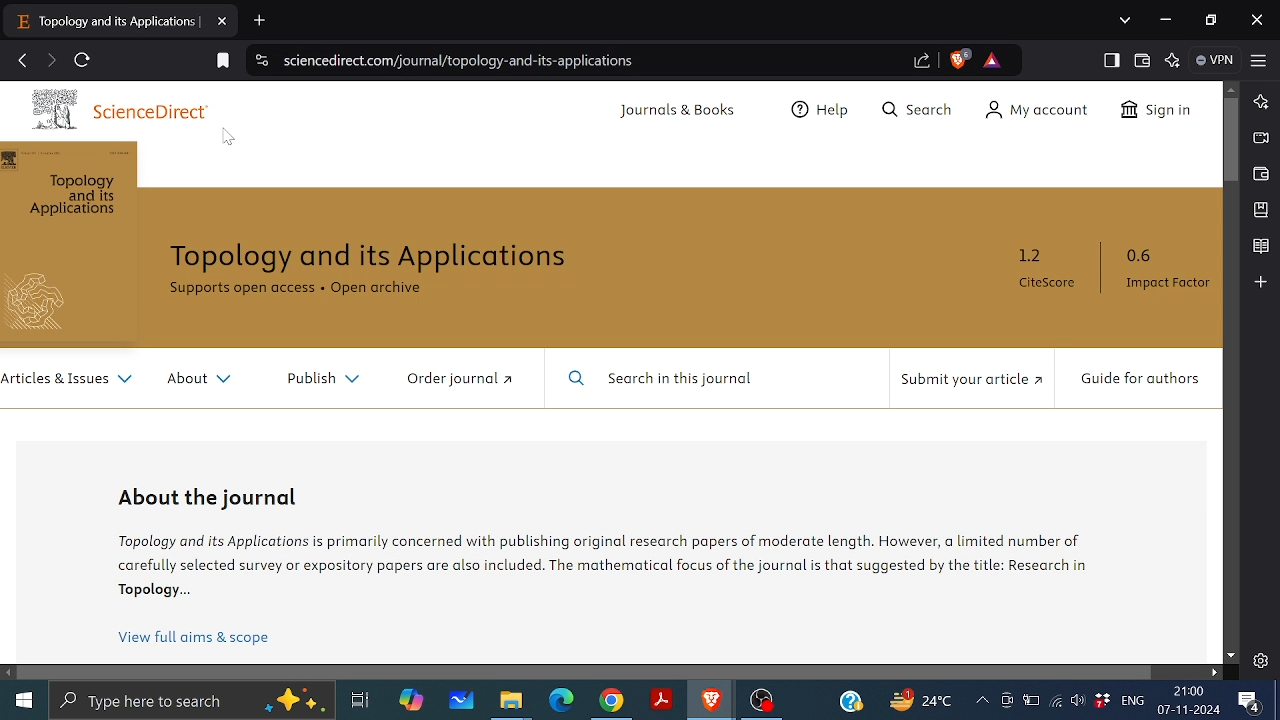  I want to click on Show sidebar, so click(1112, 60).